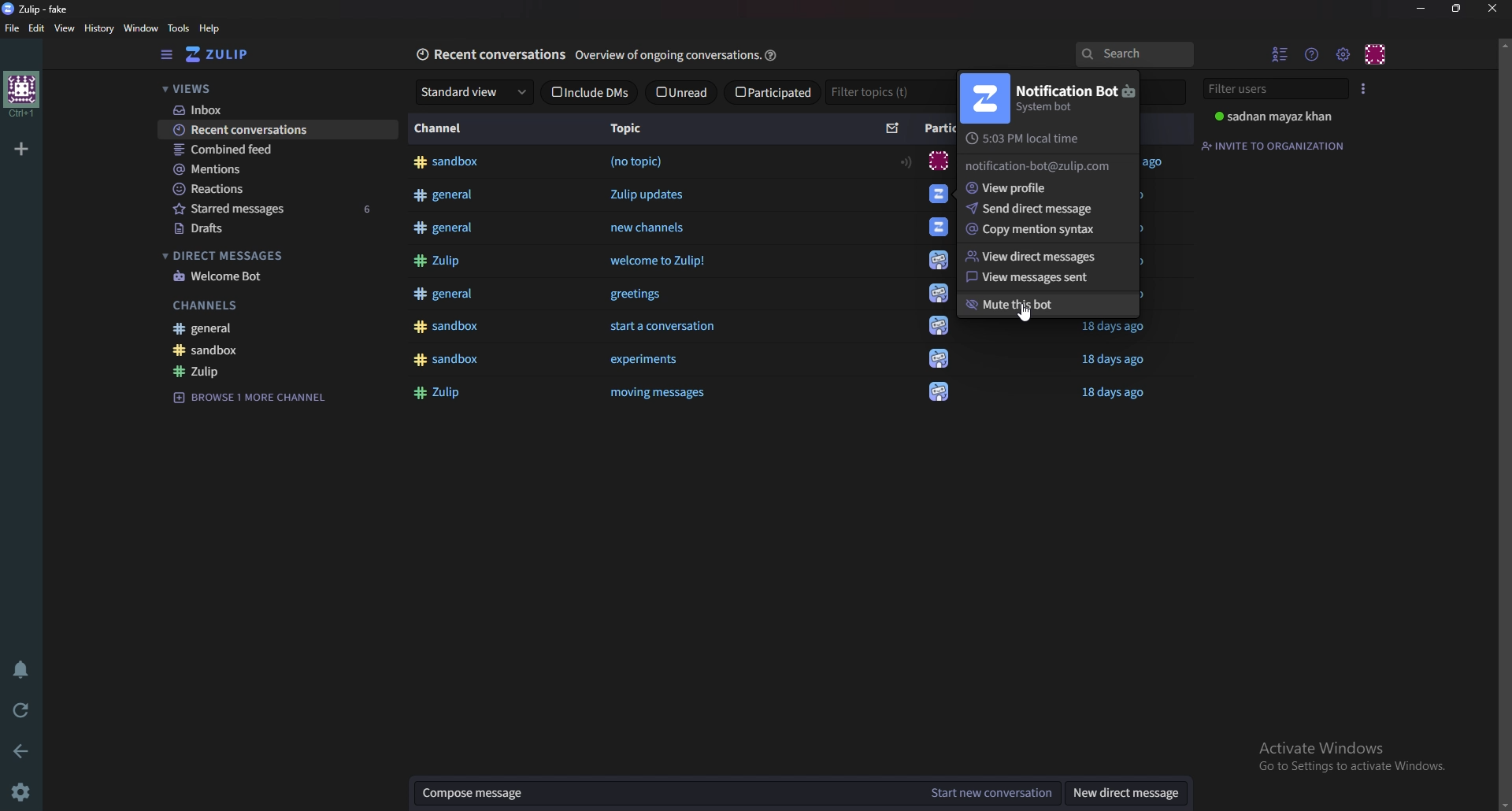  Describe the element at coordinates (42, 8) in the screenshot. I see `zulip -fake` at that location.